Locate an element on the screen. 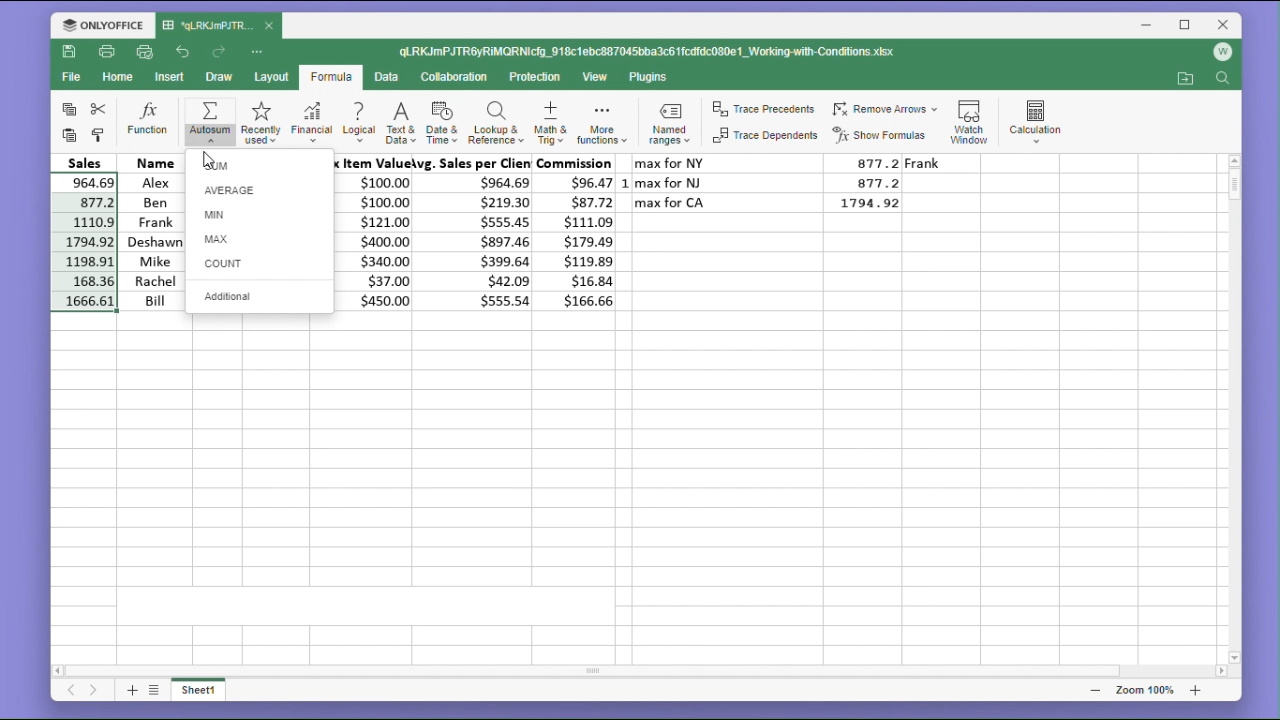 This screenshot has width=1280, height=720. undo is located at coordinates (183, 50).